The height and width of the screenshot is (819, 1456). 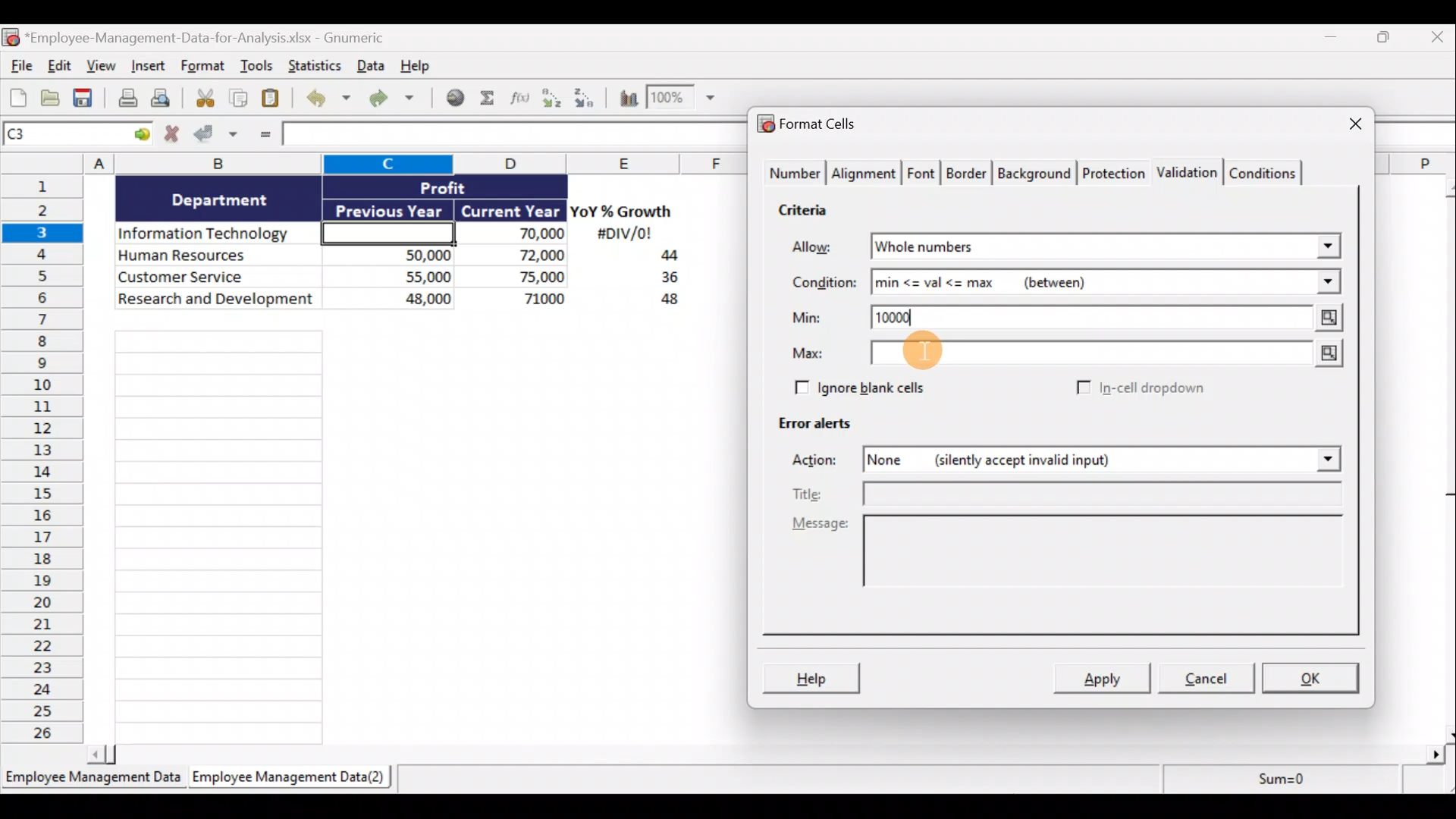 I want to click on Cell name C1, so click(x=64, y=136).